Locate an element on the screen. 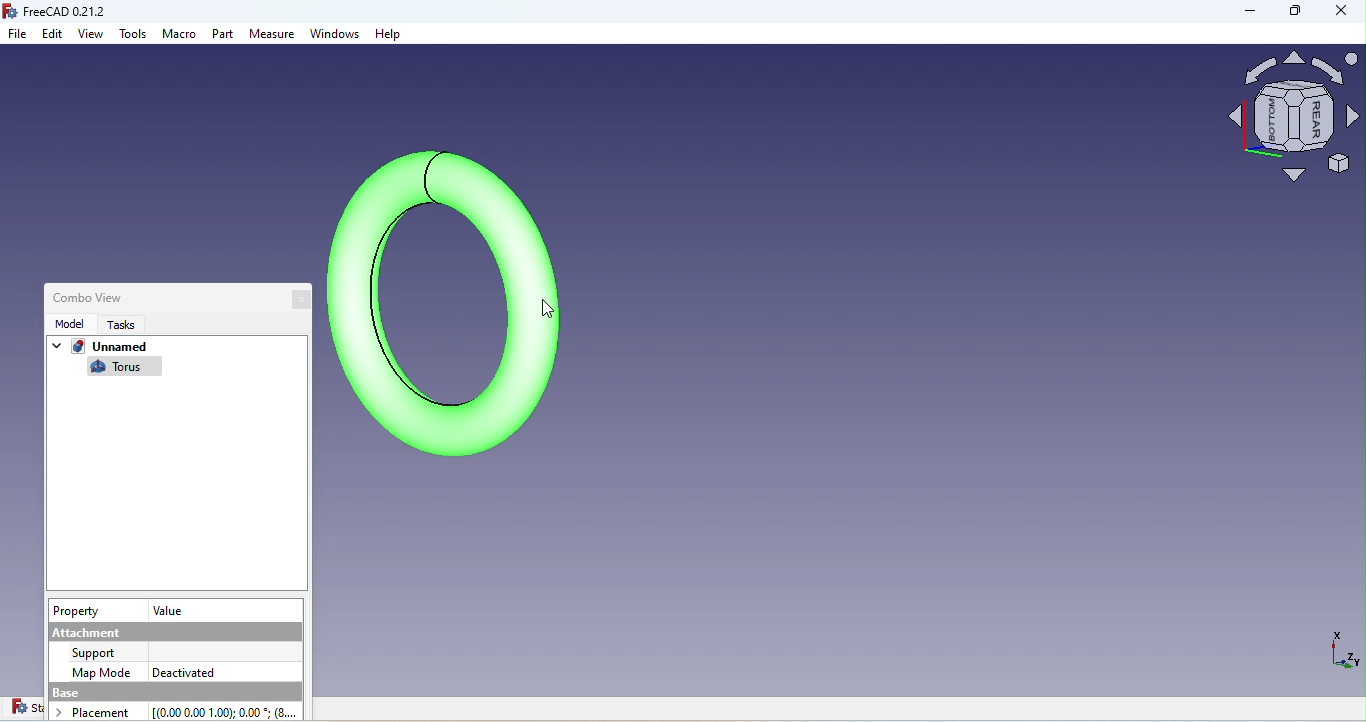 This screenshot has width=1366, height=722. support is located at coordinates (98, 652).